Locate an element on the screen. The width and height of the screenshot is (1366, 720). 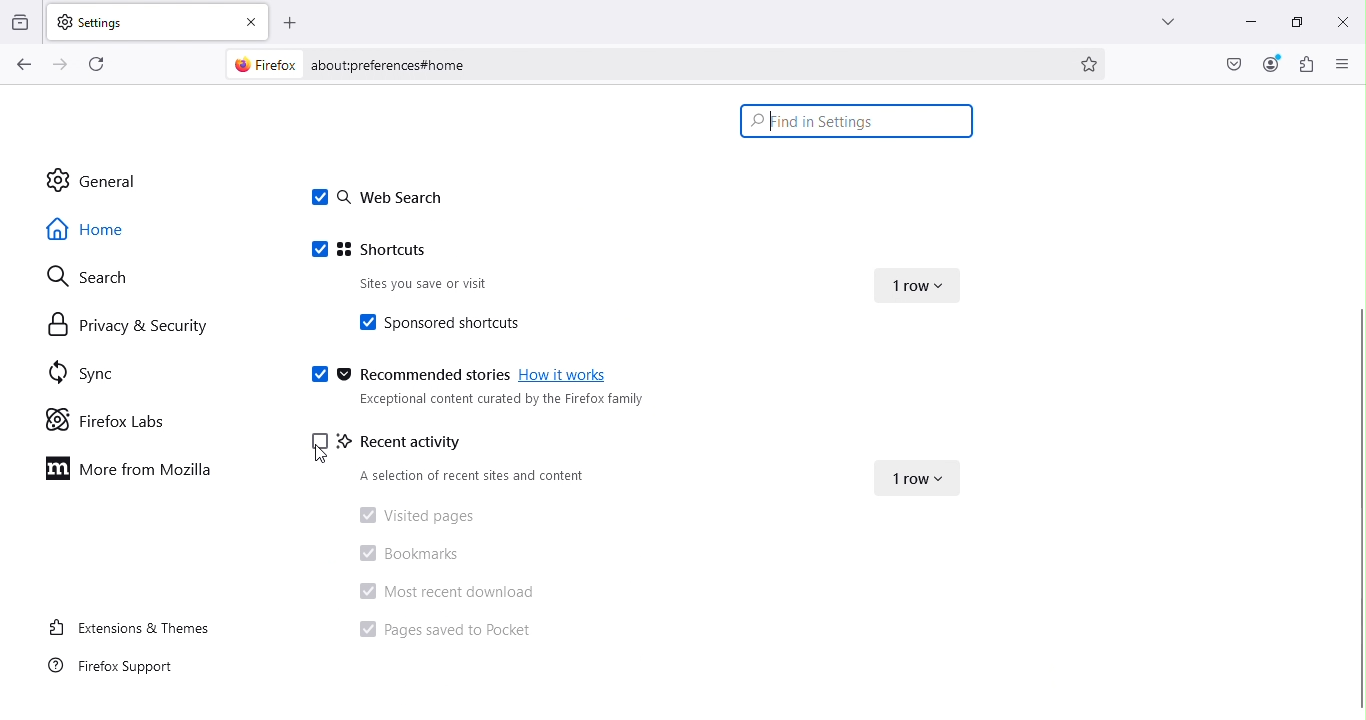
General is located at coordinates (110, 180).